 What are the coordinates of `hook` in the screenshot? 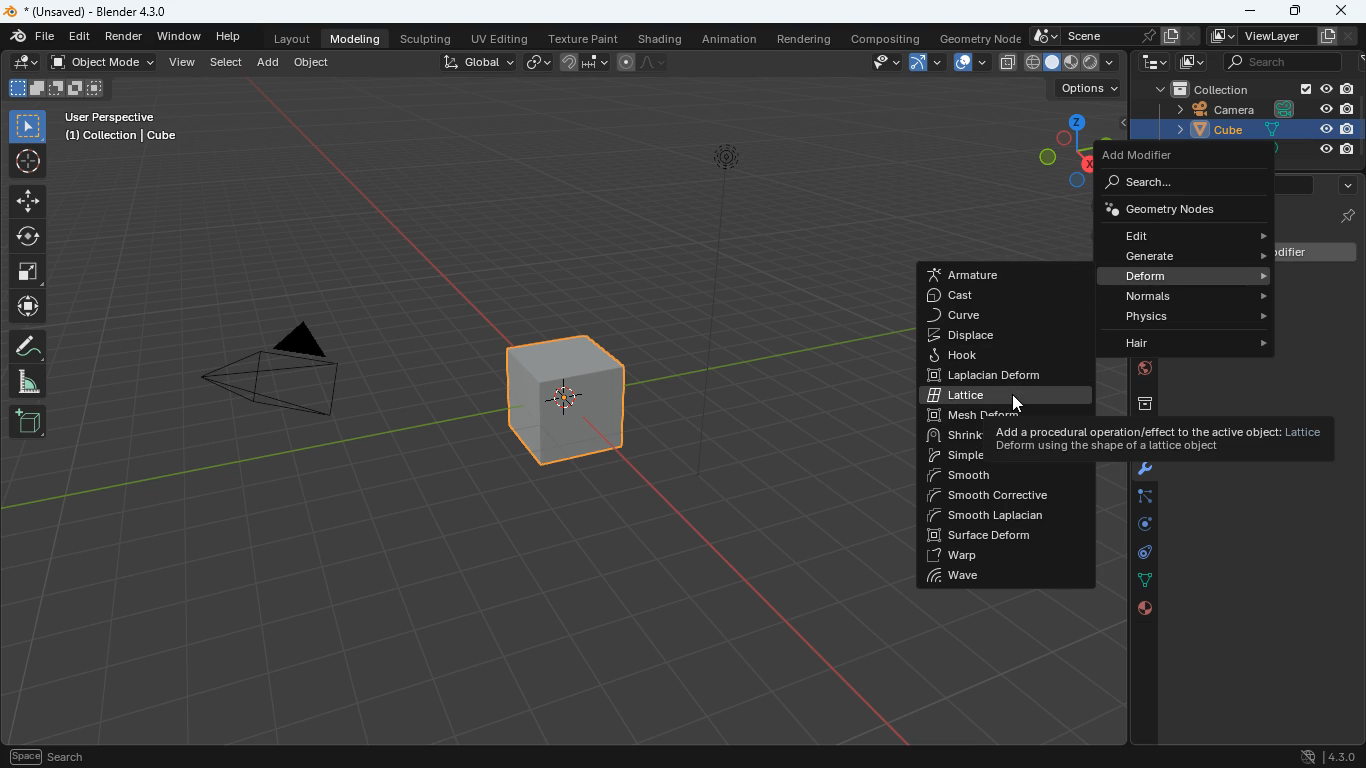 It's located at (960, 355).